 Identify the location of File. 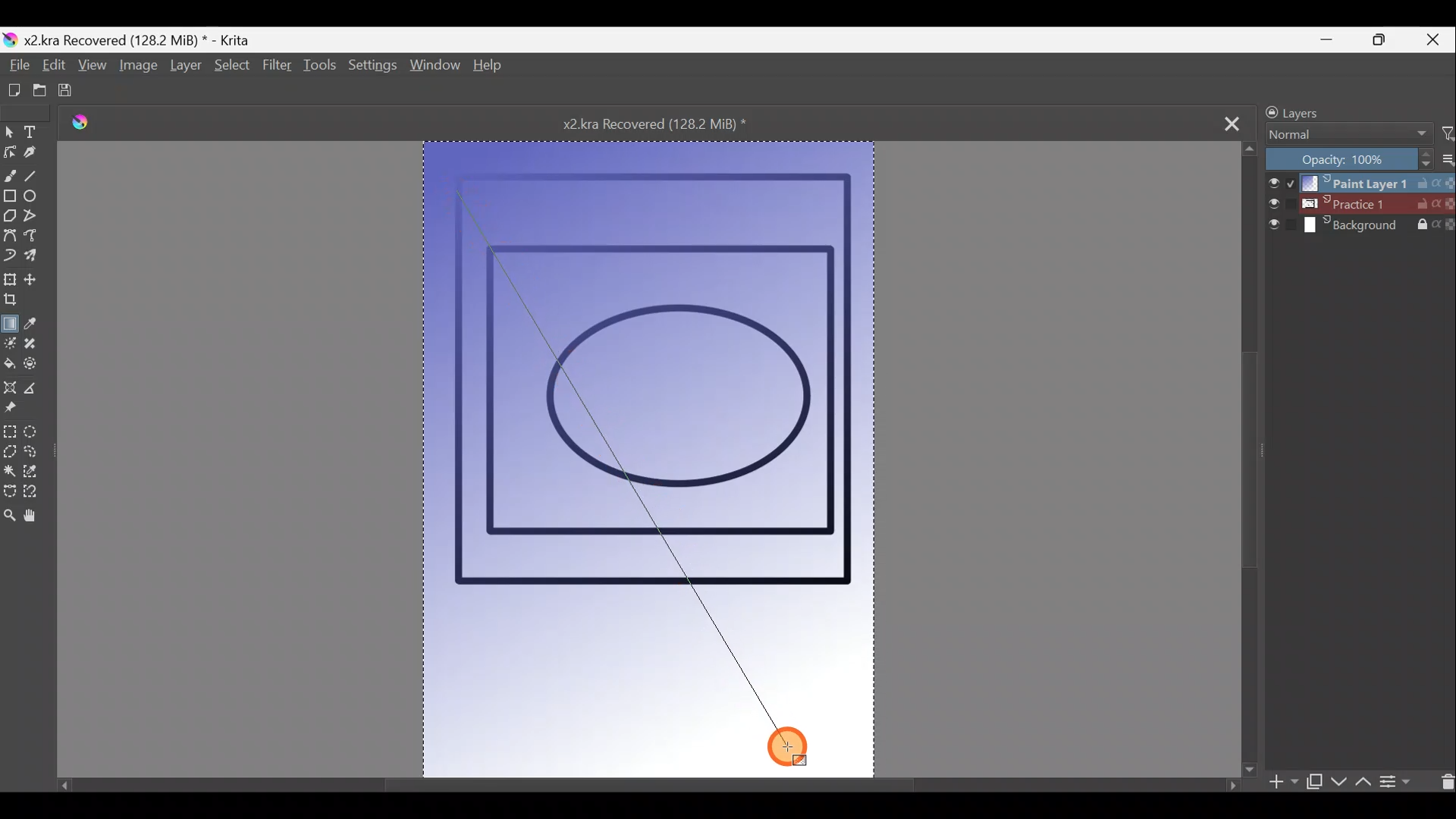
(17, 66).